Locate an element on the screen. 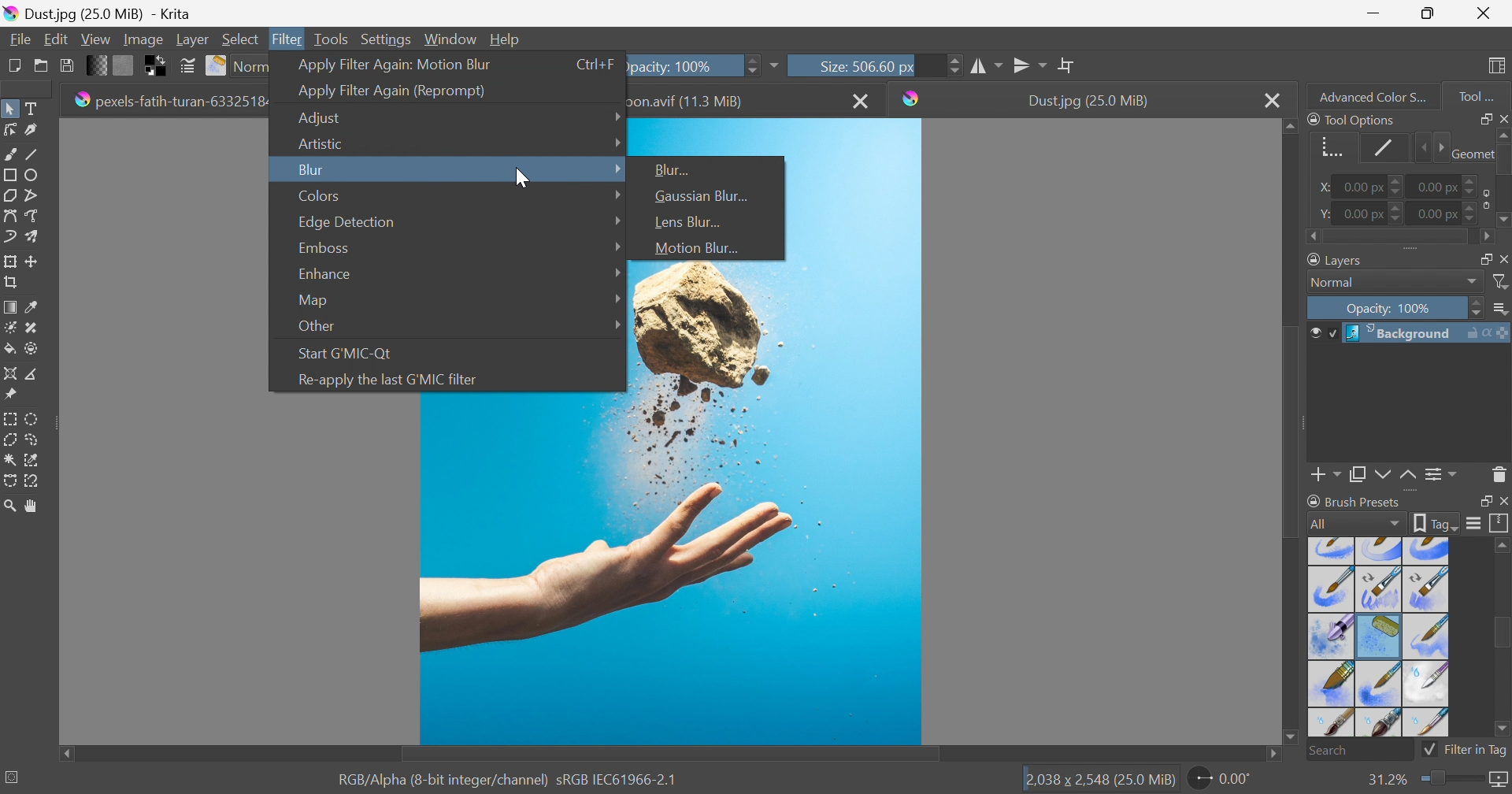 Image resolution: width=1512 pixels, height=794 pixels. Blur... is located at coordinates (675, 169).